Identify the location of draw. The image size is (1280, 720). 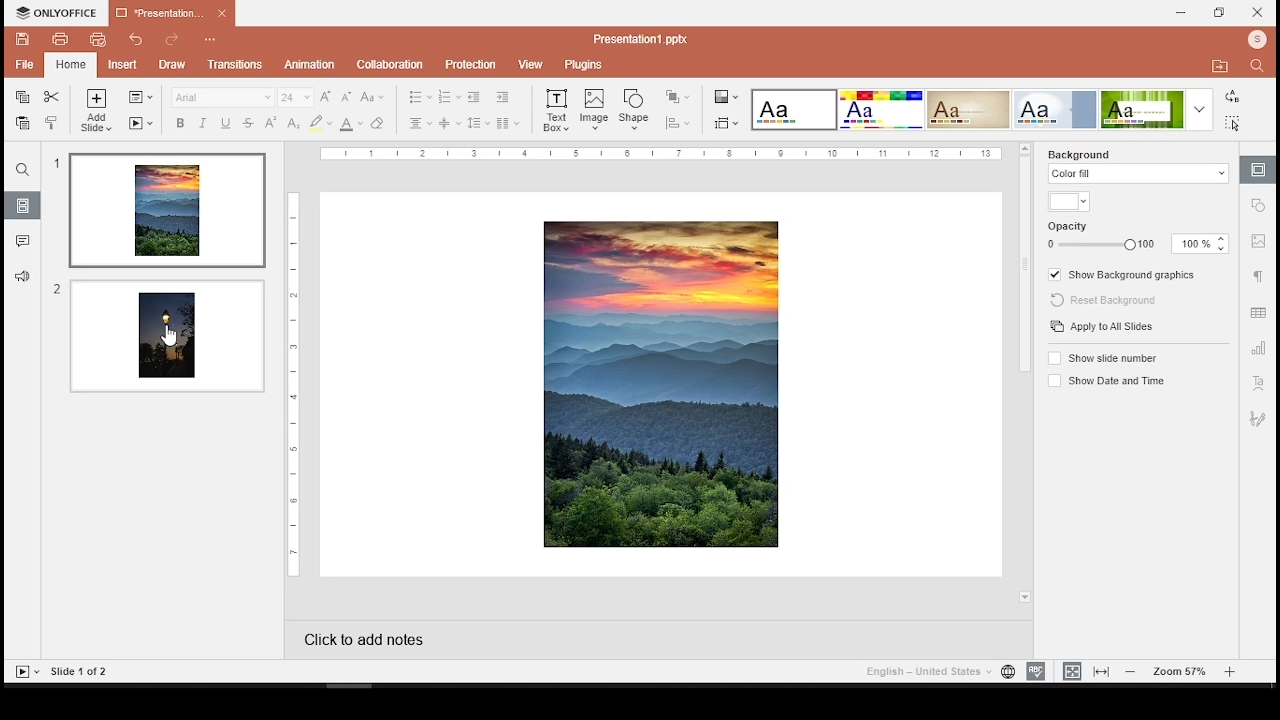
(168, 63).